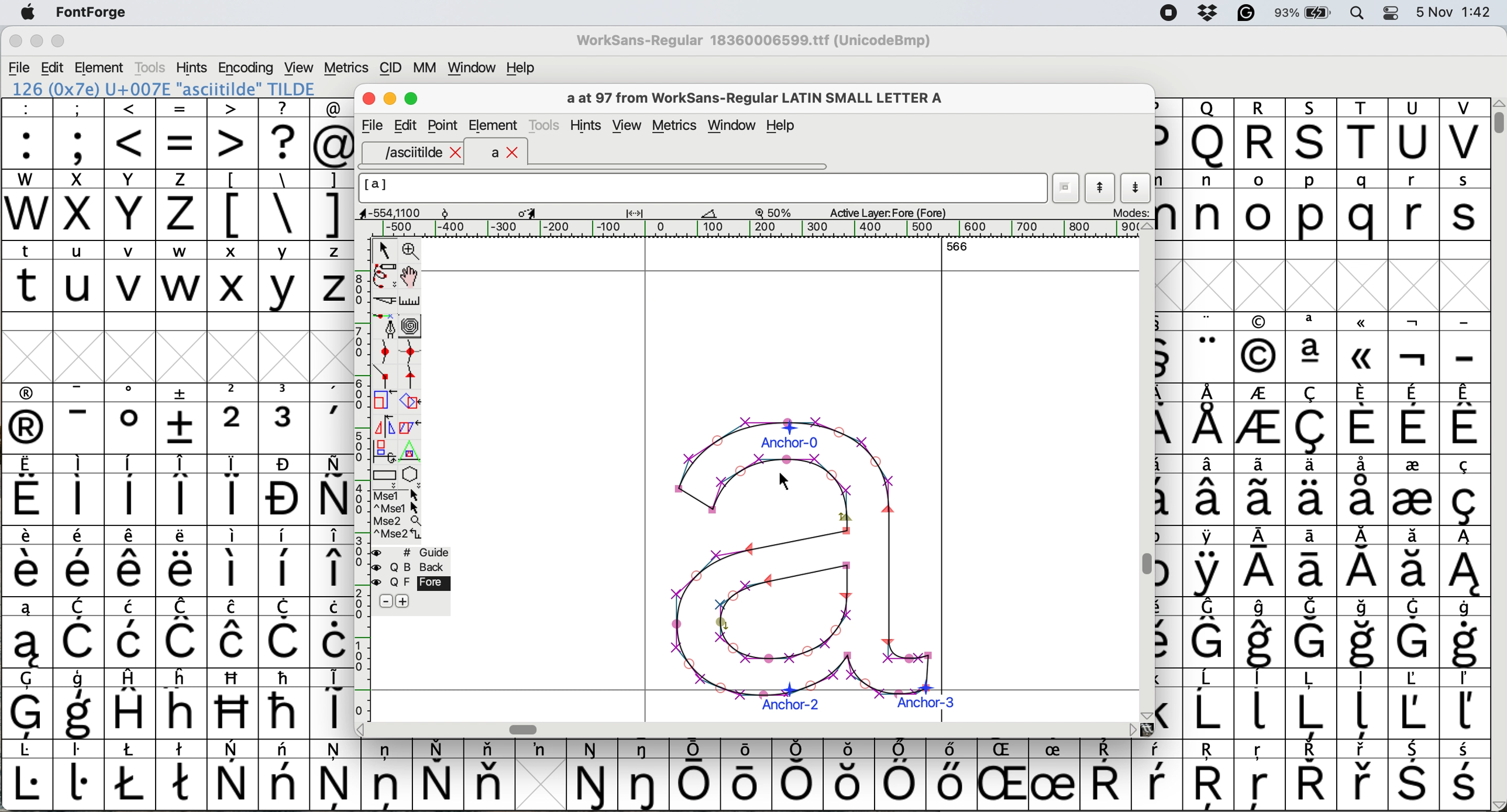 The height and width of the screenshot is (812, 1507). I want to click on symbol, so click(133, 632).